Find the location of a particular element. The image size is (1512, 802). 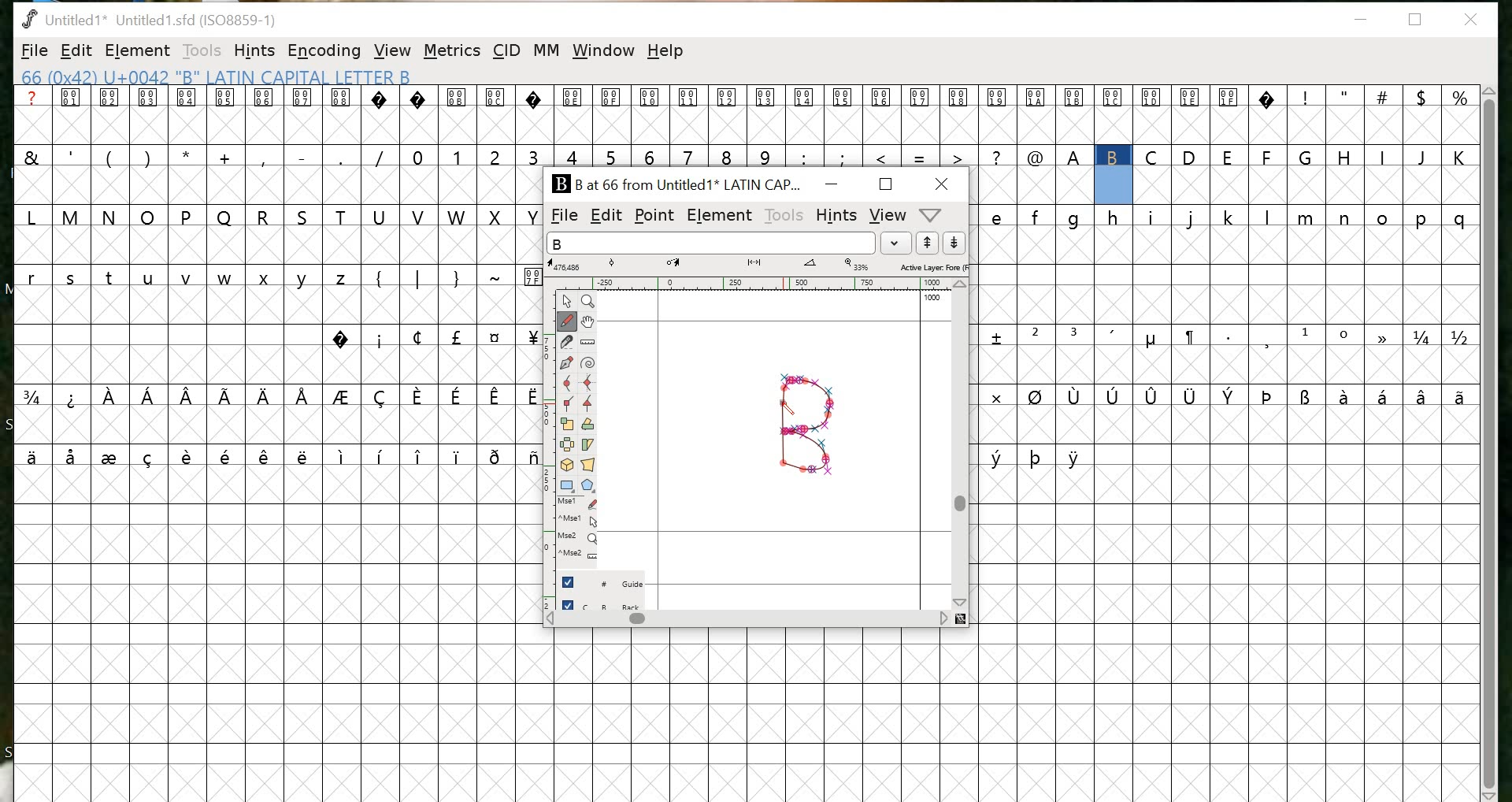

window is located at coordinates (603, 51).